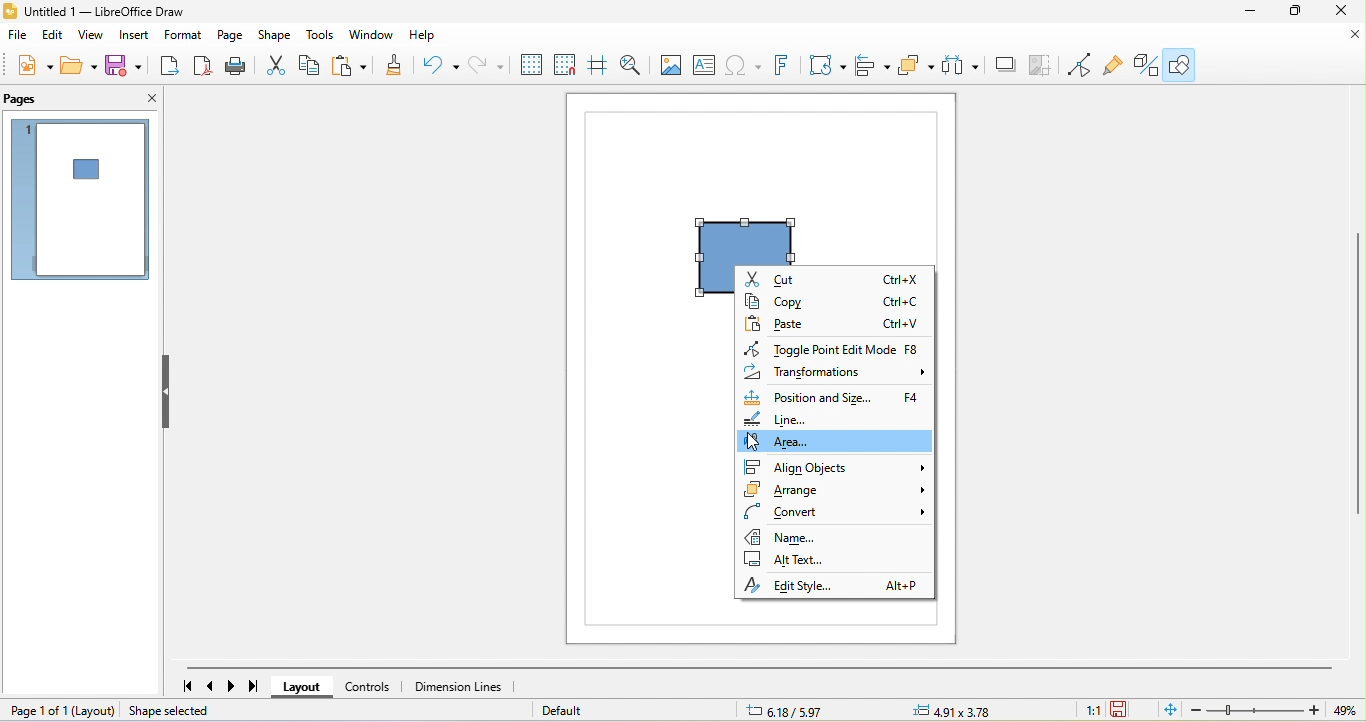 The width and height of the screenshot is (1366, 722). I want to click on cut, so click(835, 280).